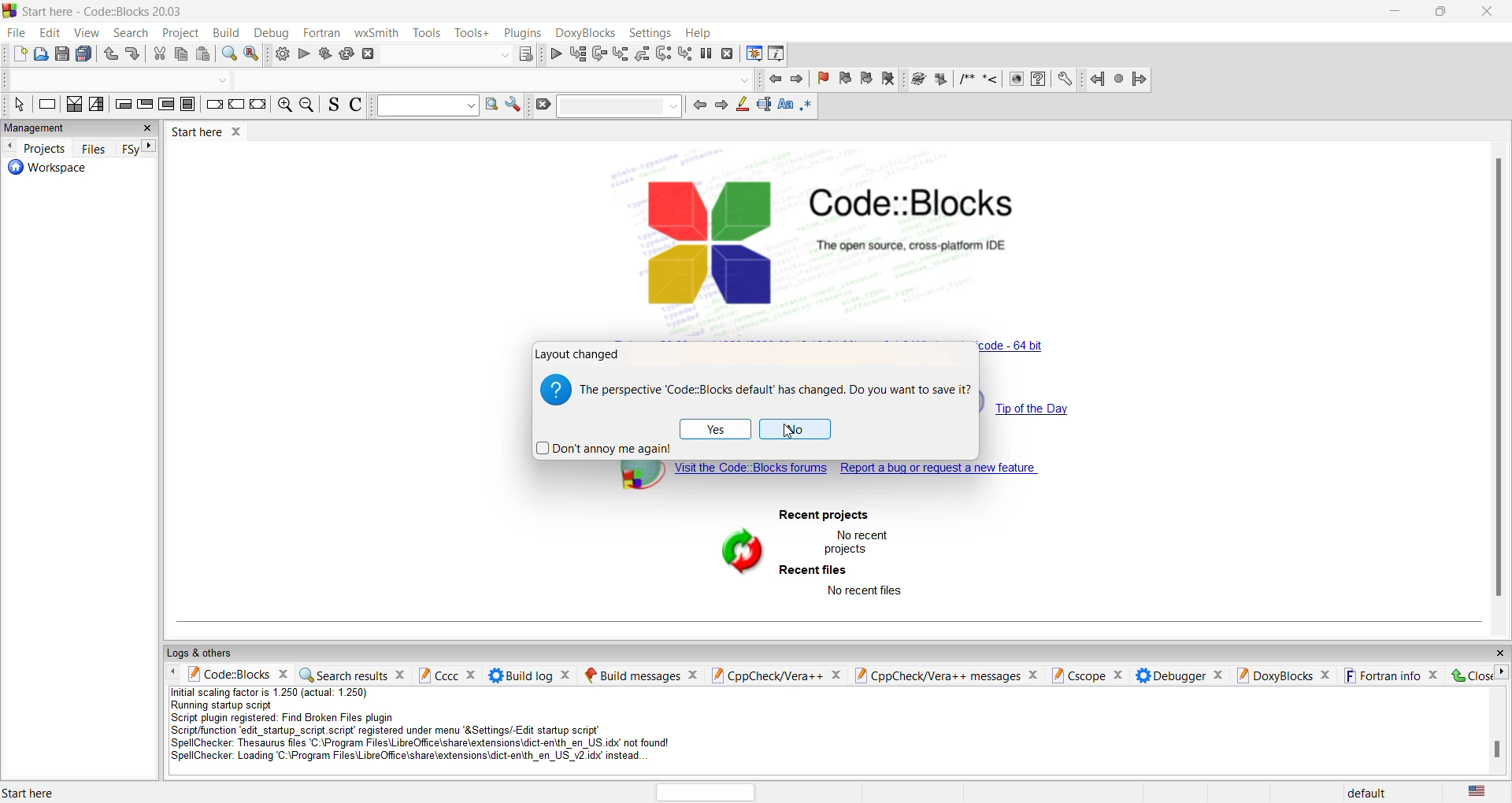 The image size is (1512, 803). What do you see at coordinates (286, 57) in the screenshot?
I see `build` at bounding box center [286, 57].